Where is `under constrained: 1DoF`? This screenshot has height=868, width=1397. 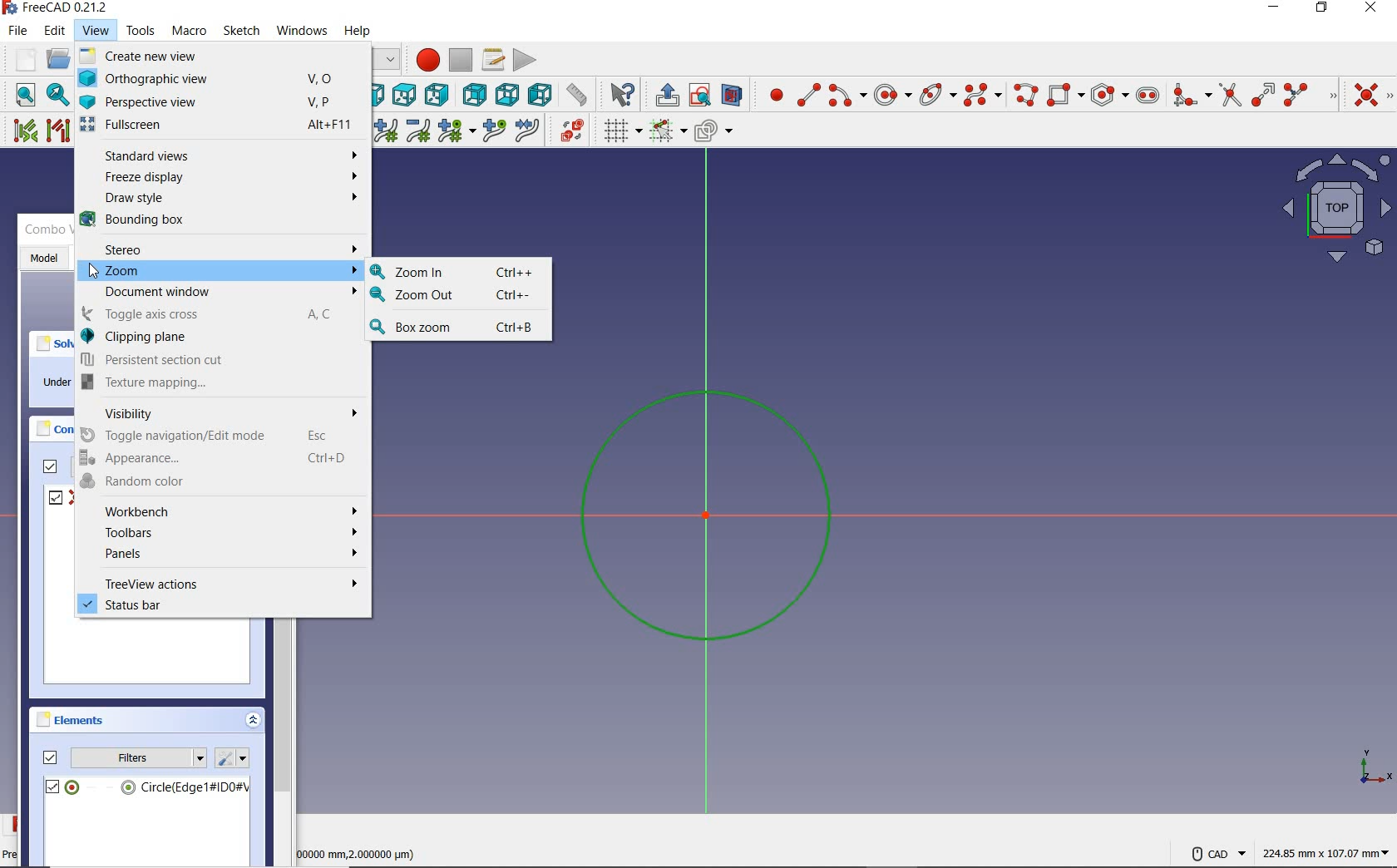 under constrained: 1DoF is located at coordinates (54, 383).